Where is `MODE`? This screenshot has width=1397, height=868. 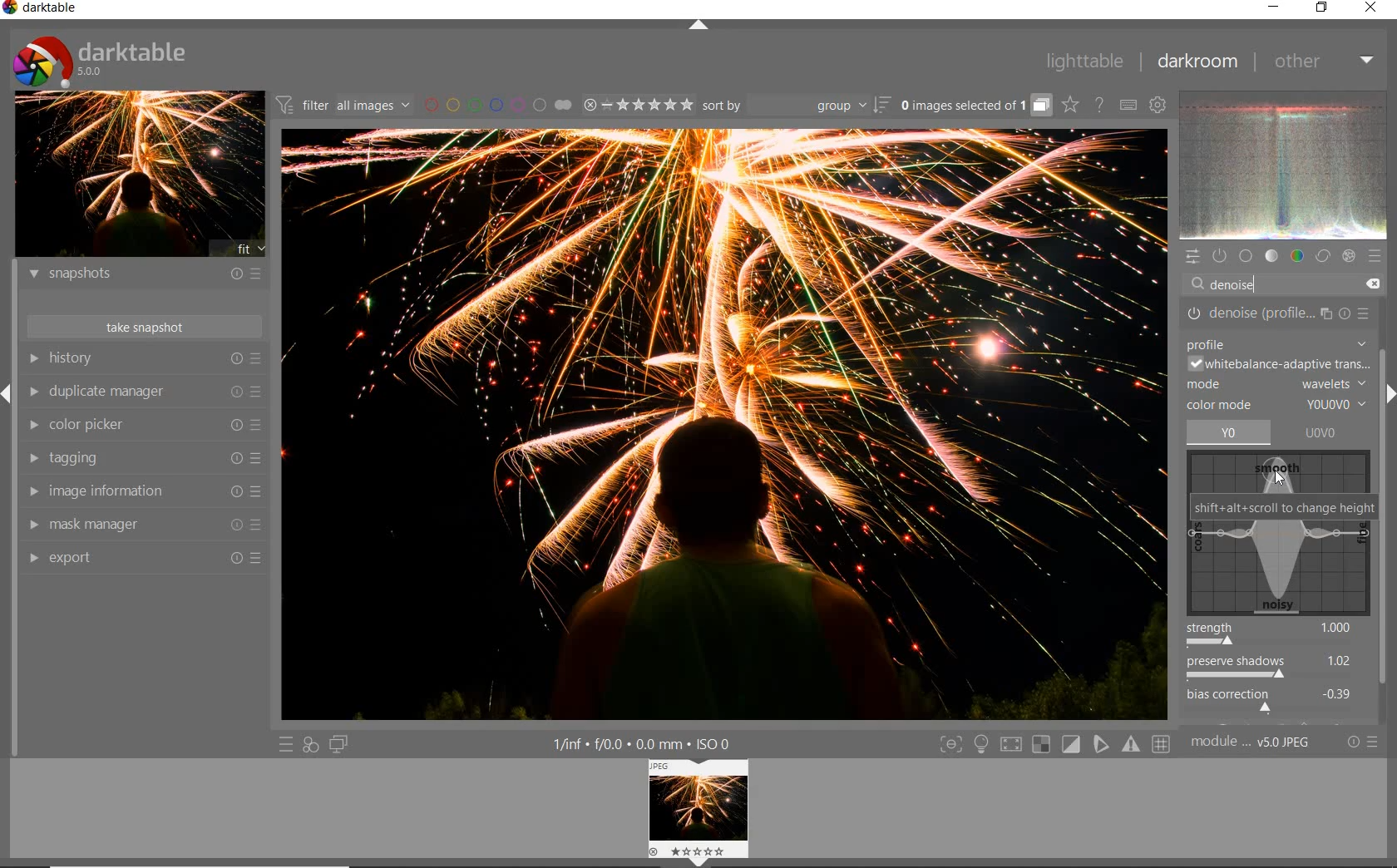 MODE is located at coordinates (1277, 386).